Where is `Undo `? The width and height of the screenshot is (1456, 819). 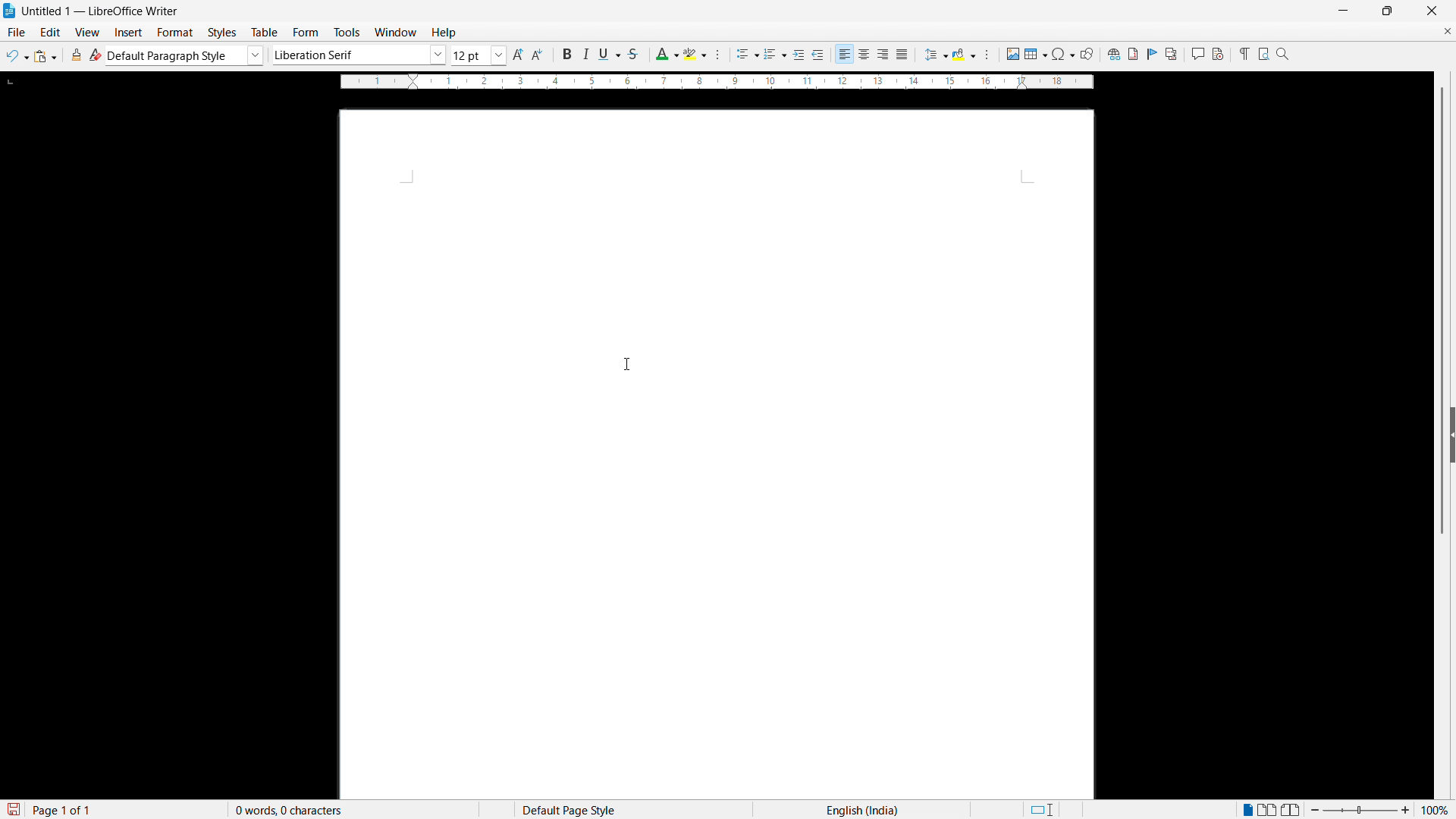
Undo  is located at coordinates (17, 56).